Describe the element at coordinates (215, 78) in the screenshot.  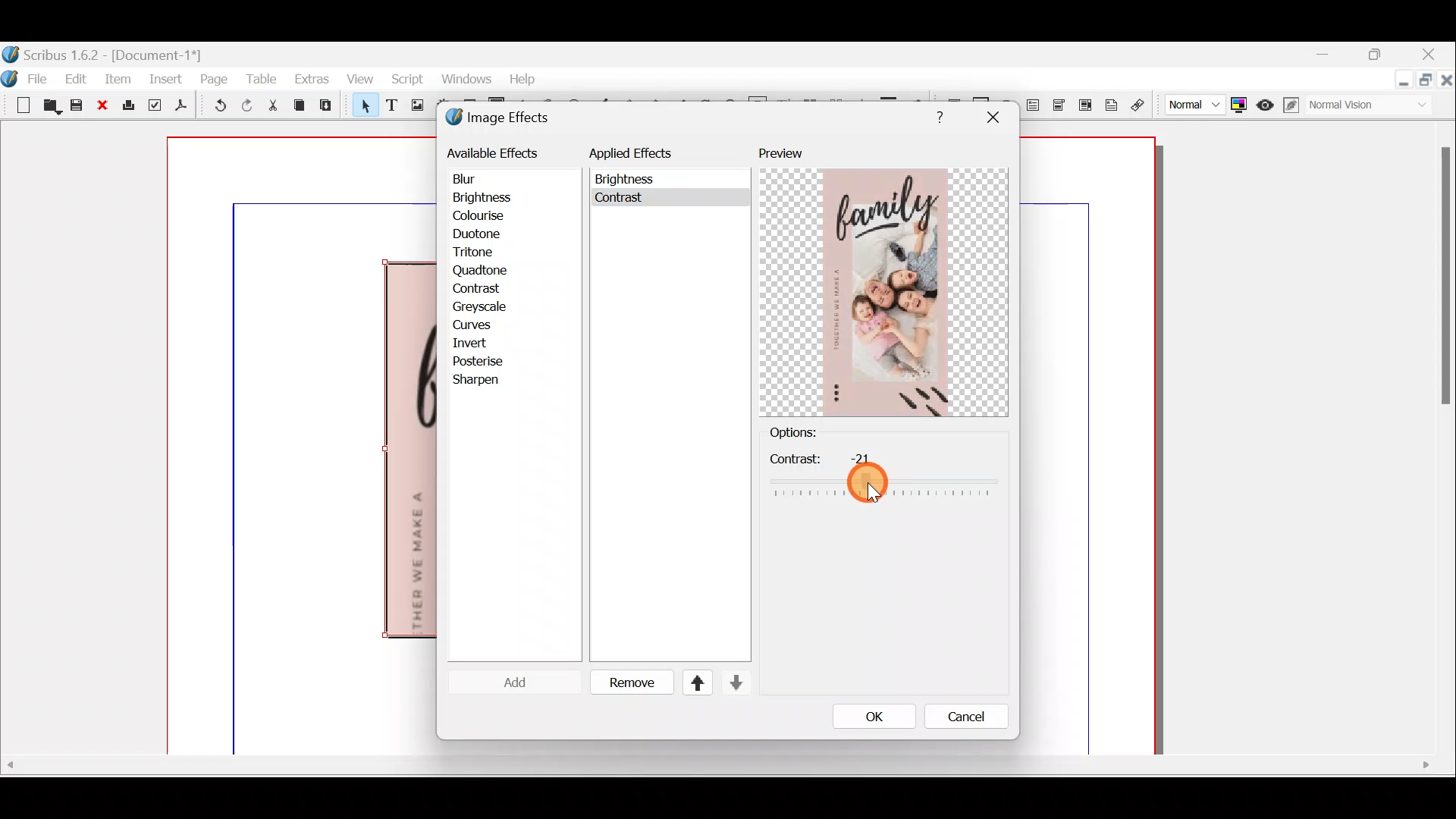
I see `Page` at that location.